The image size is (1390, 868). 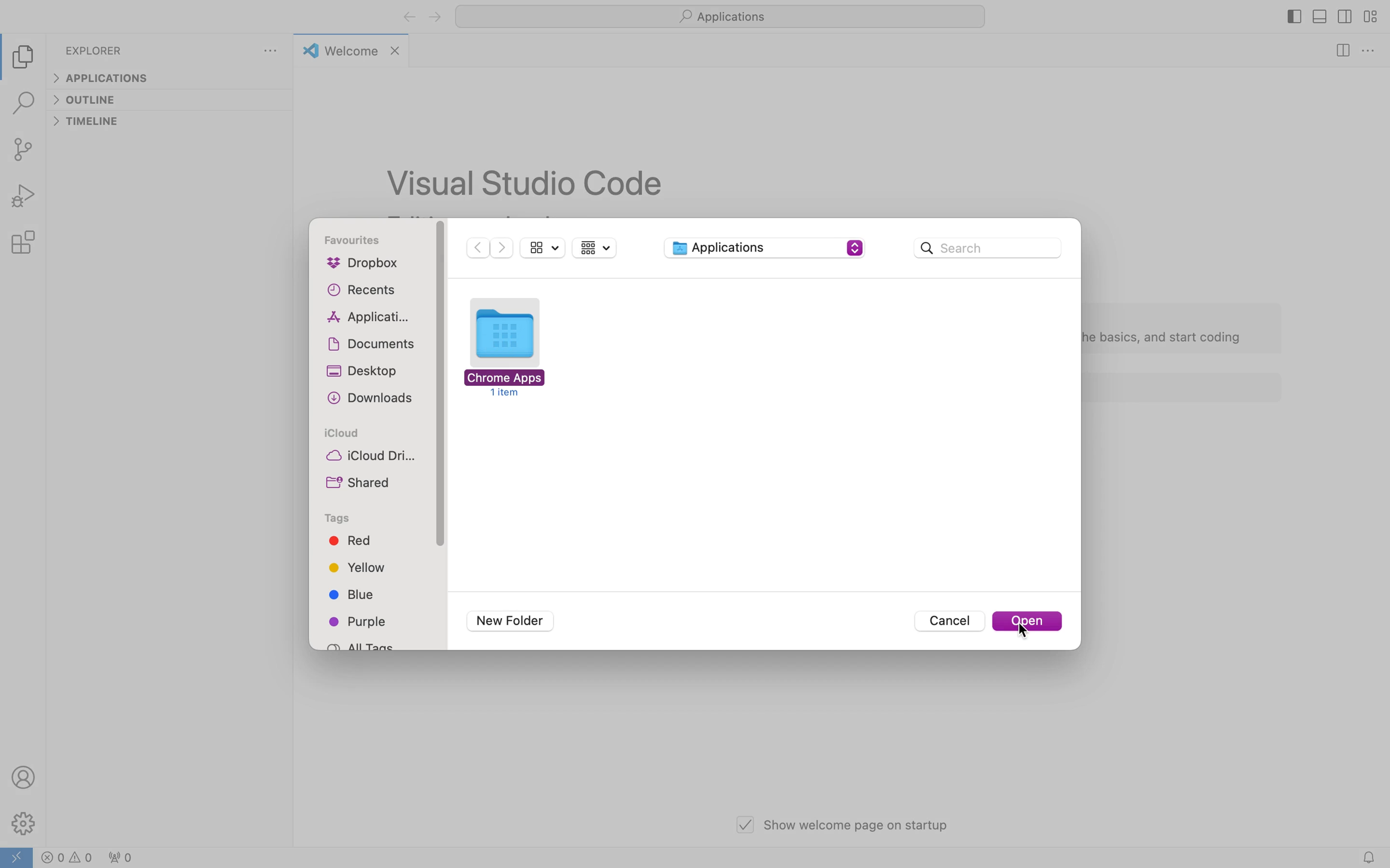 What do you see at coordinates (597, 249) in the screenshot?
I see `group items` at bounding box center [597, 249].